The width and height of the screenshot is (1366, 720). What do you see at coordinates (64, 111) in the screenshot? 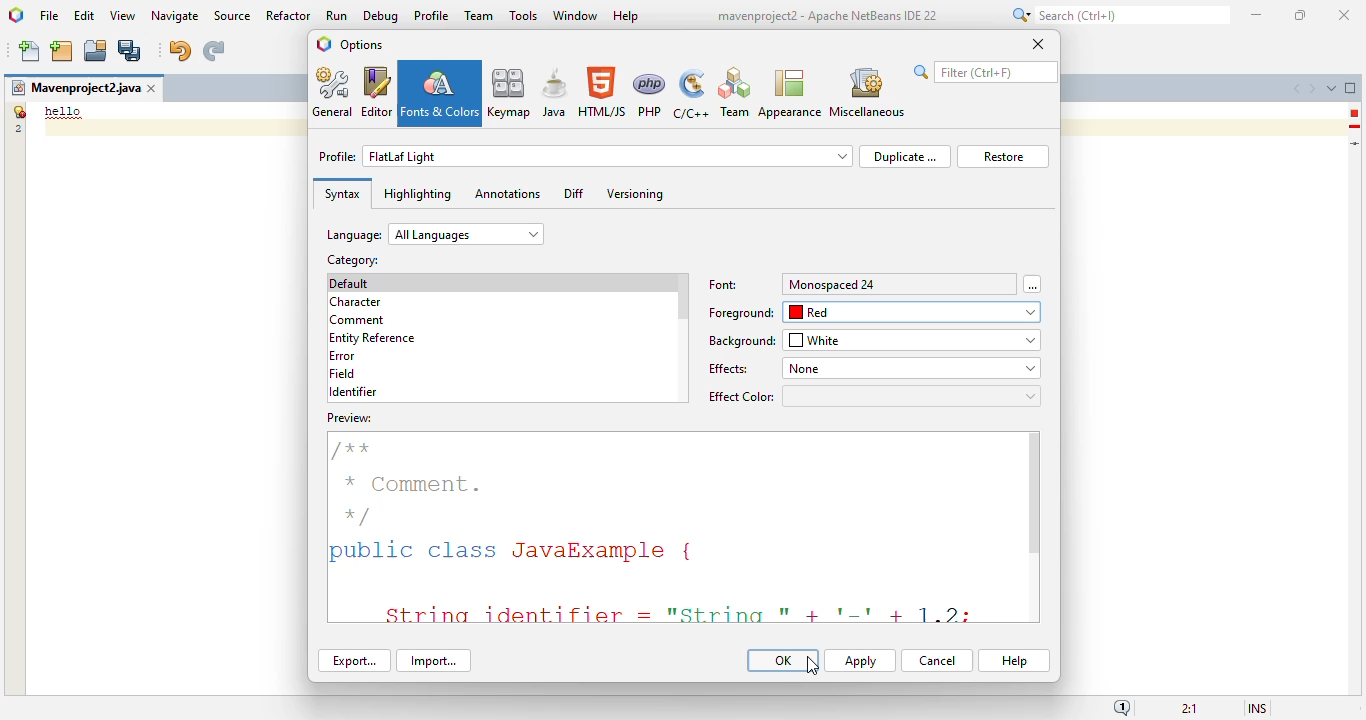
I see `demo text` at bounding box center [64, 111].